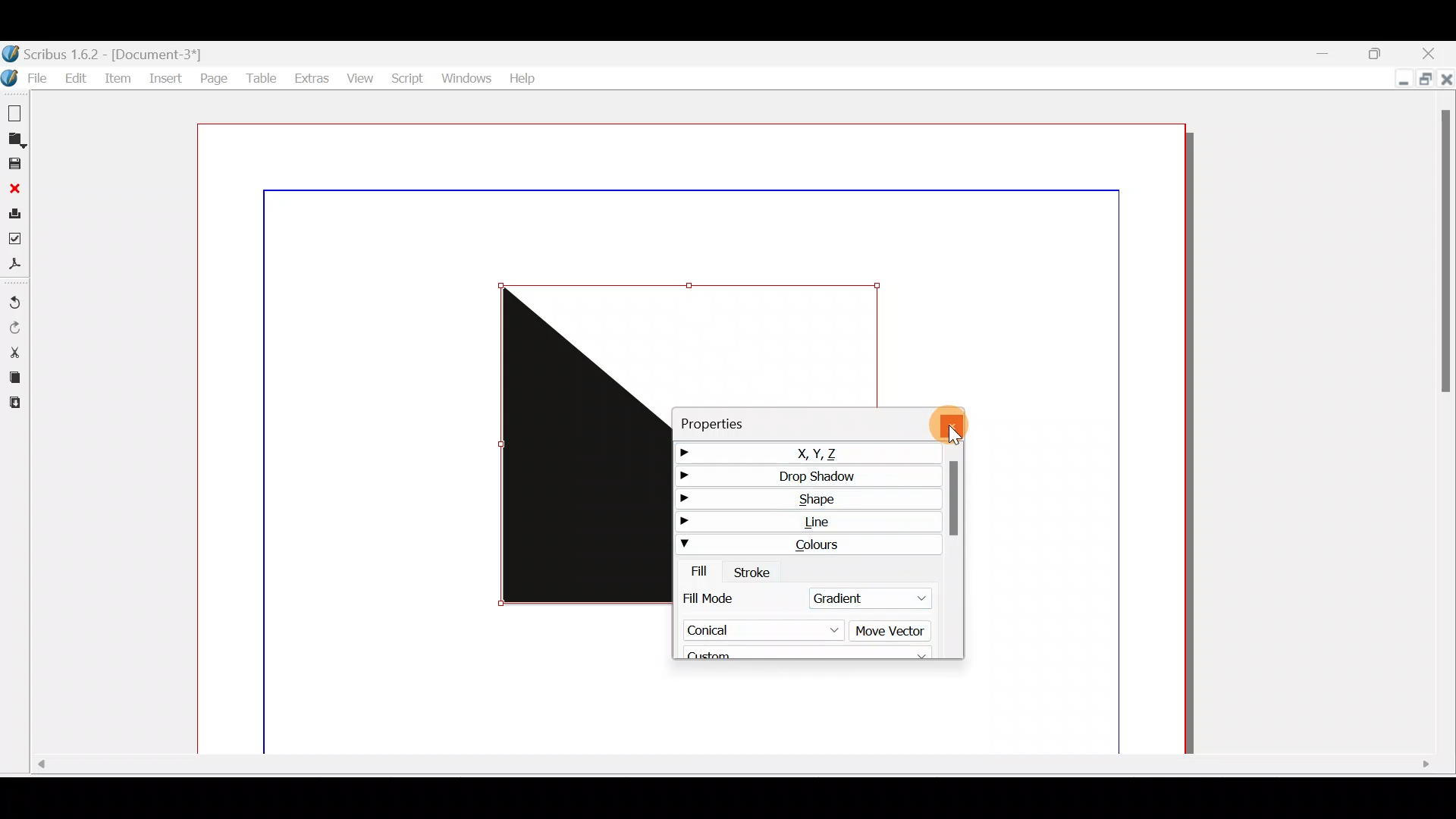  What do you see at coordinates (726, 768) in the screenshot?
I see `Scroll bar` at bounding box center [726, 768].